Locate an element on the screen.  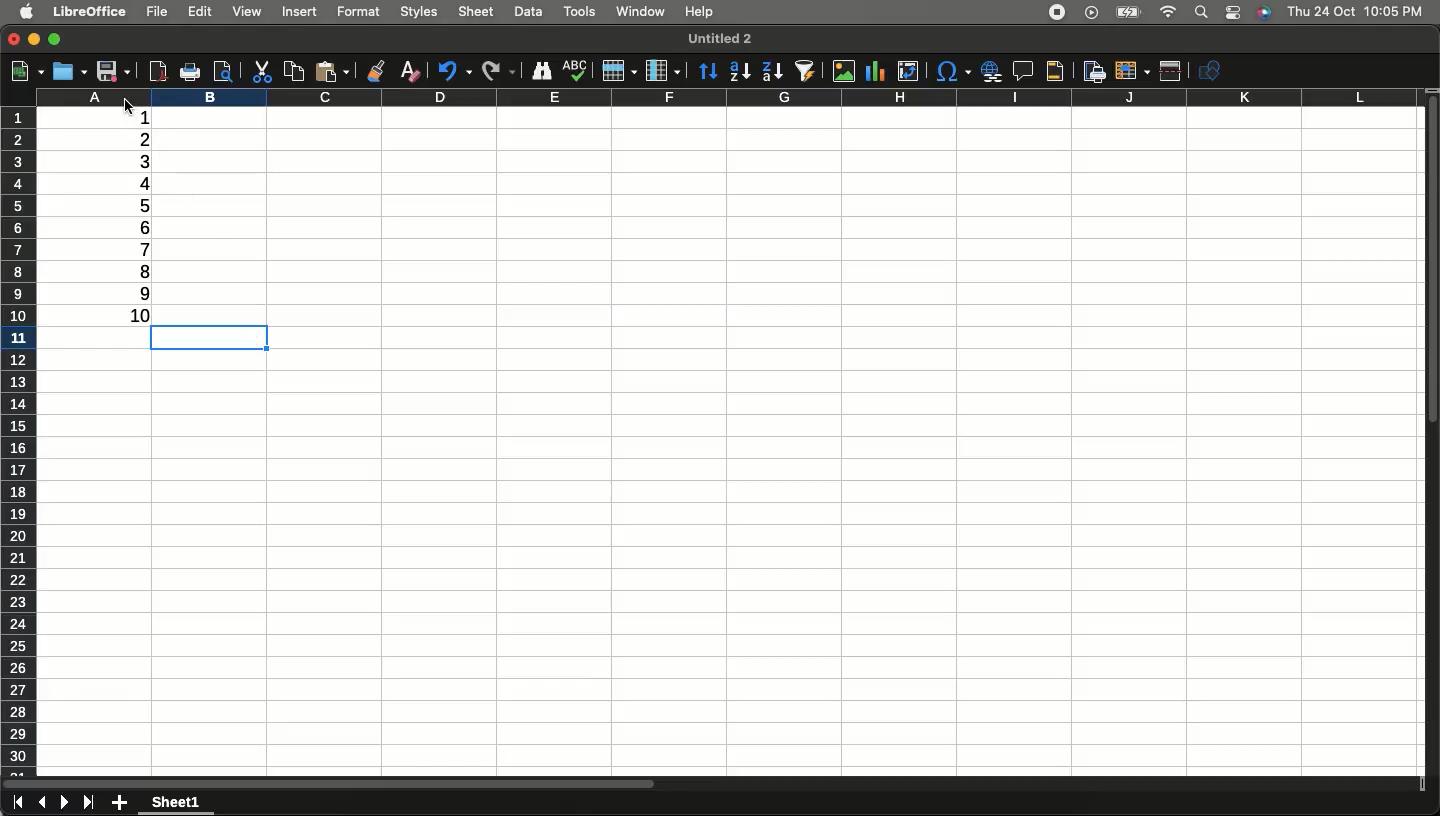
Find and replace is located at coordinates (542, 71).